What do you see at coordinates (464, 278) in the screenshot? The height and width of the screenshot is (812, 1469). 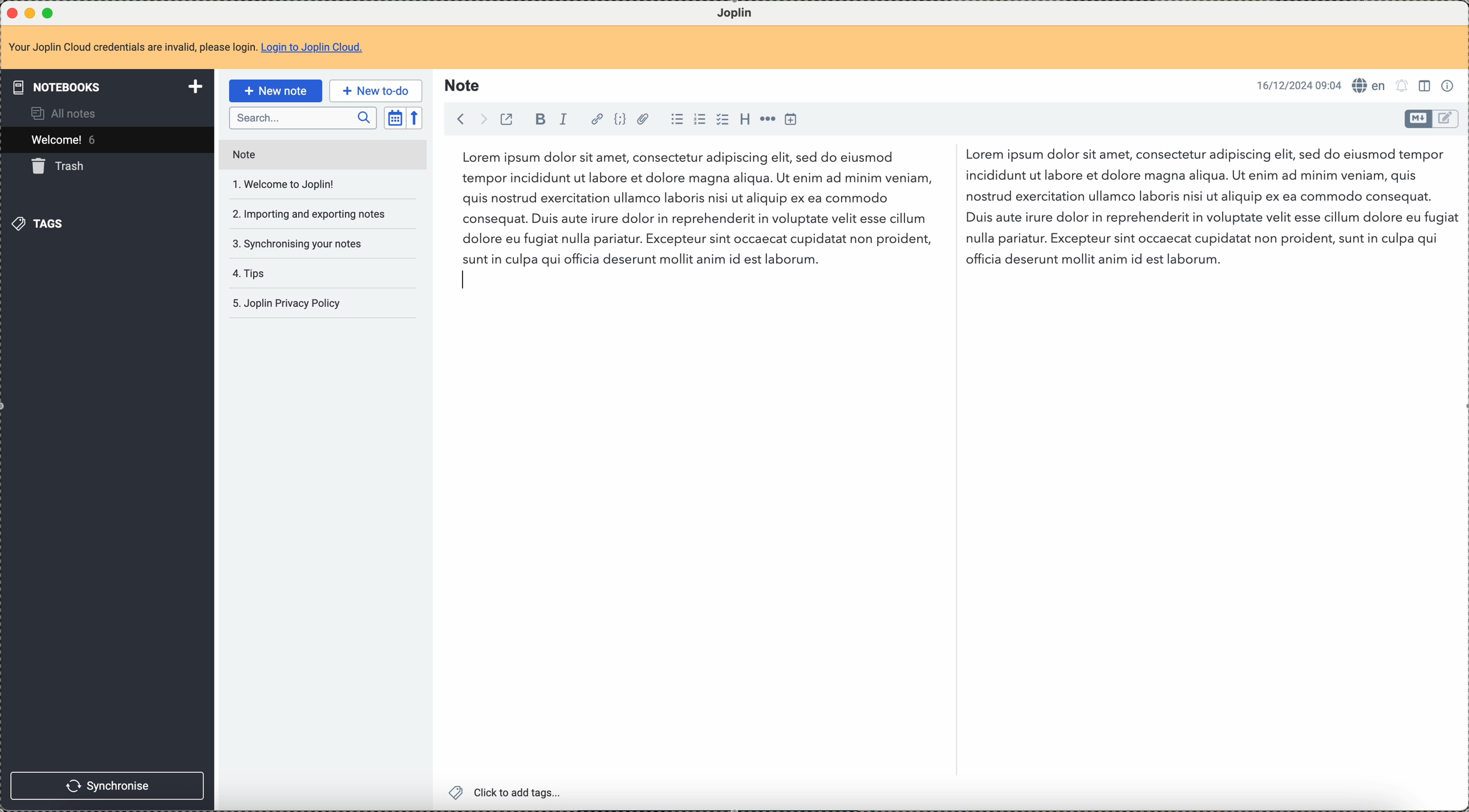 I see `text cursor` at bounding box center [464, 278].